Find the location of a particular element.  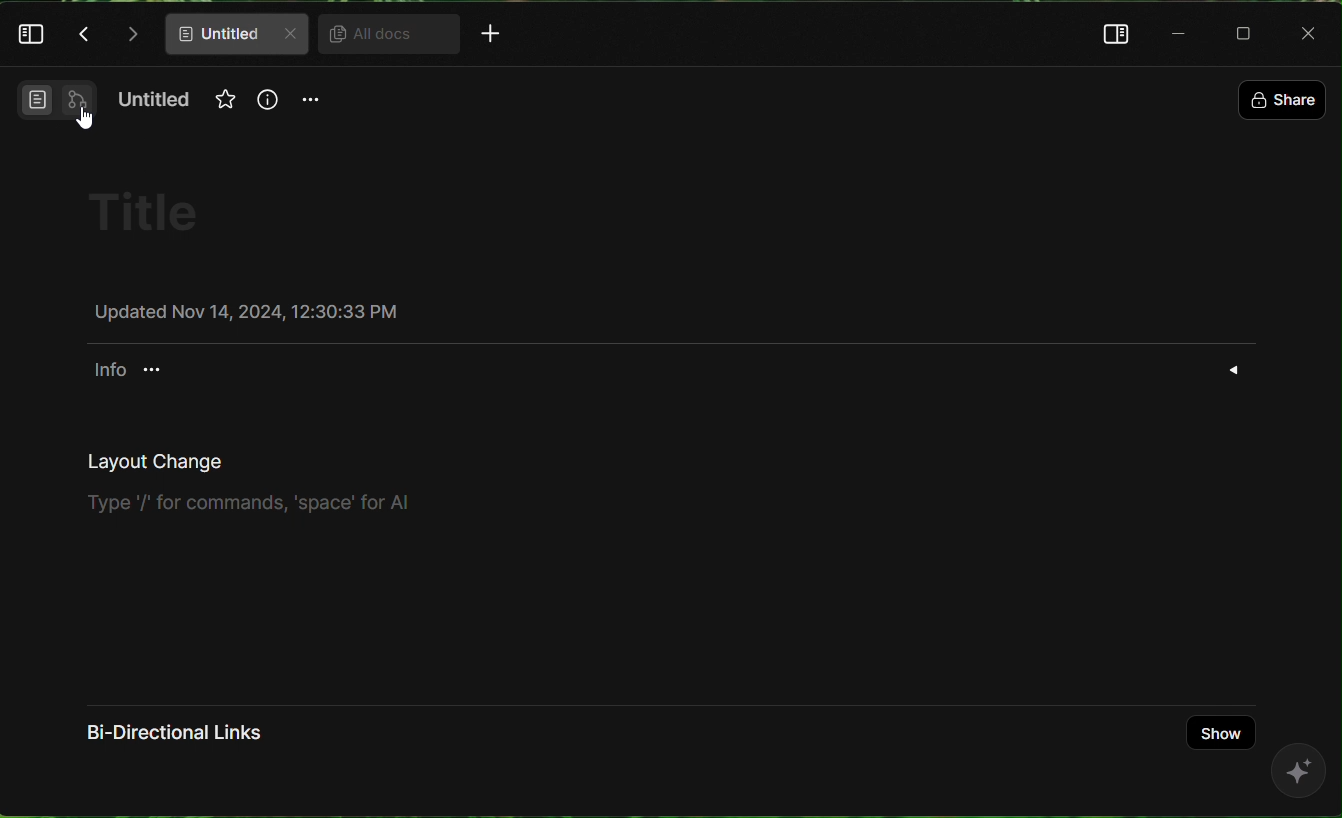

minimize is located at coordinates (1180, 32).